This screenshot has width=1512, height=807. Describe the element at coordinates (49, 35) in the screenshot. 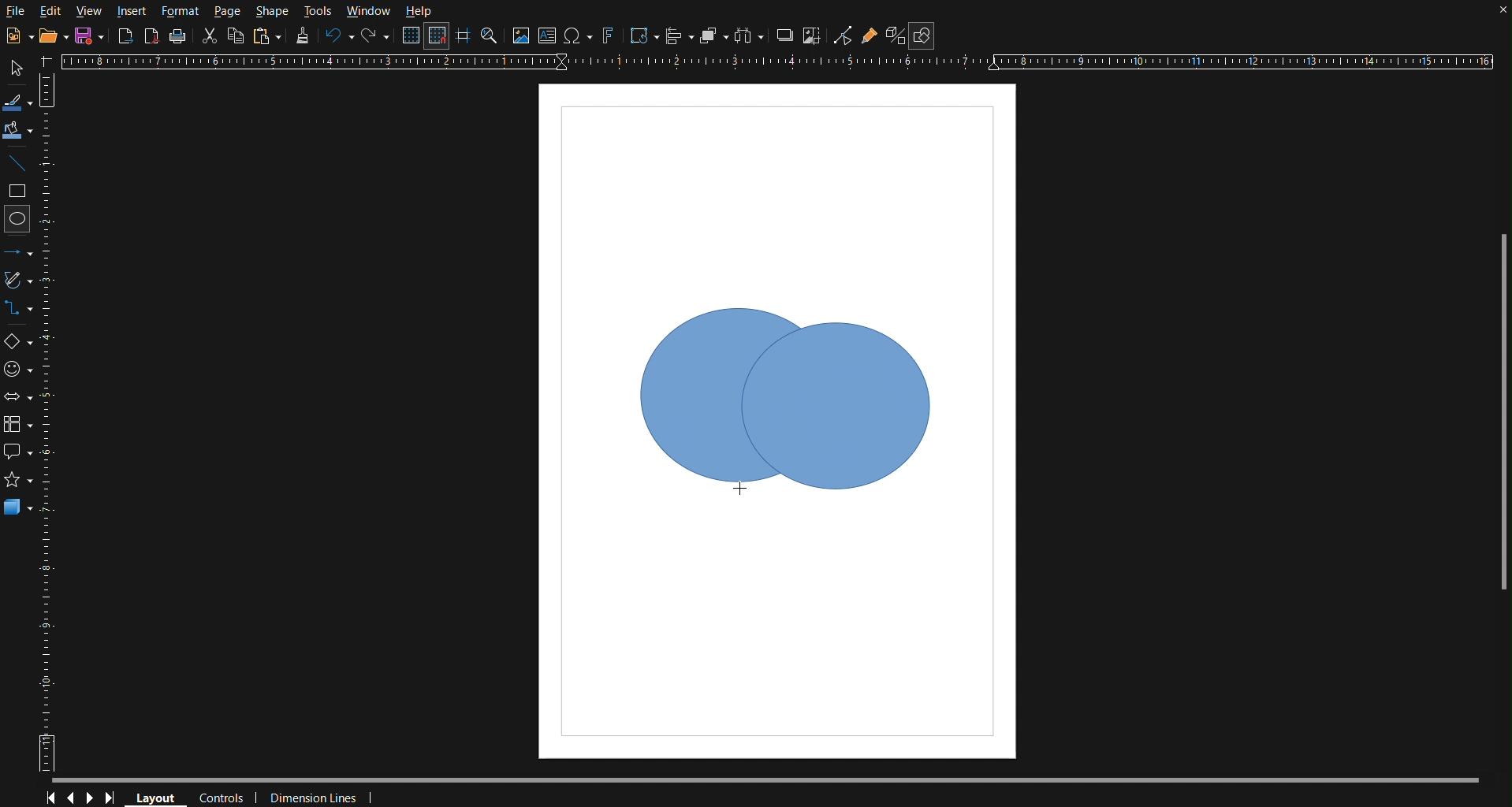

I see `Open` at that location.